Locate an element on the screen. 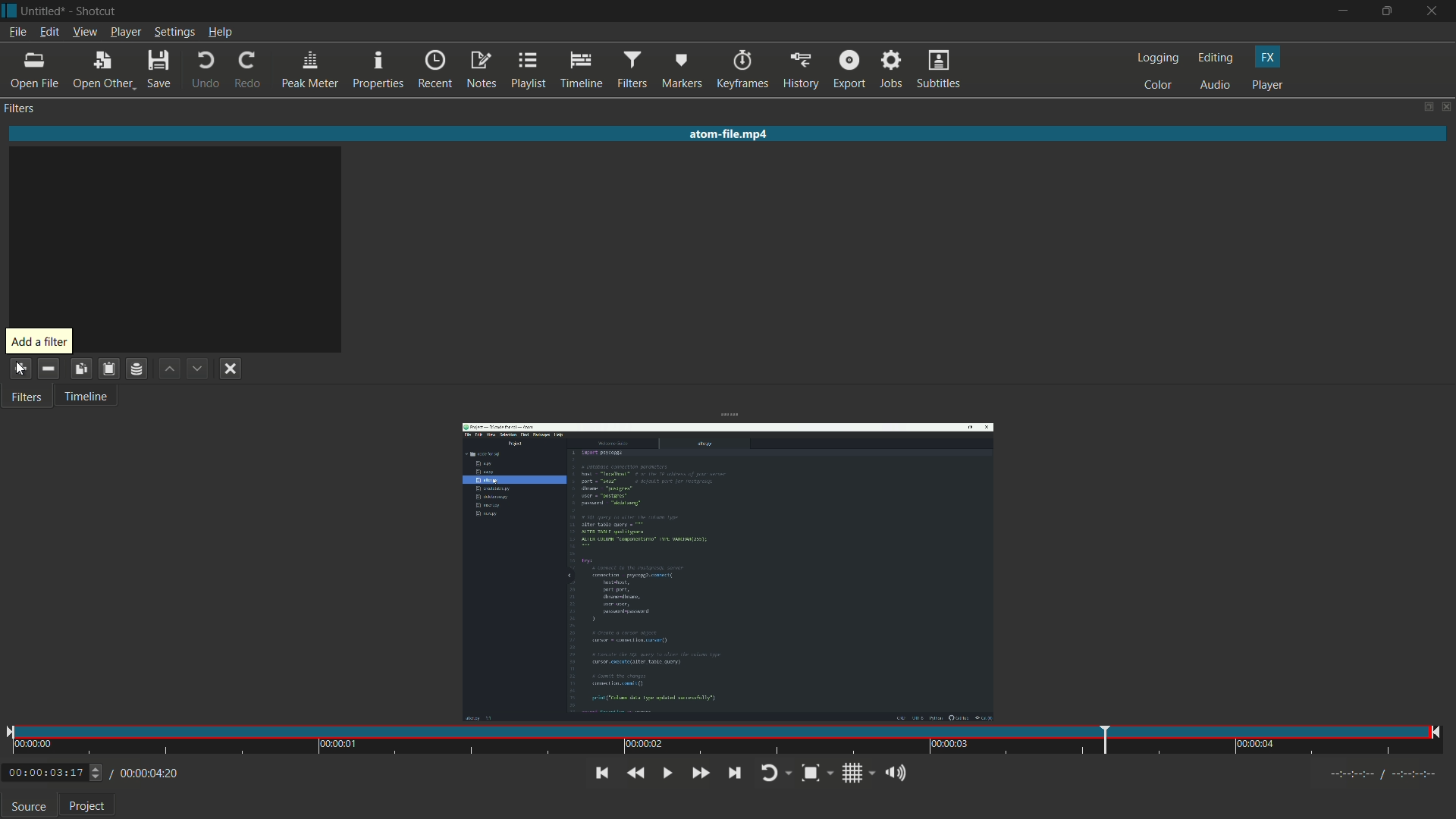 The width and height of the screenshot is (1456, 819). timecodes is located at coordinates (1385, 776).